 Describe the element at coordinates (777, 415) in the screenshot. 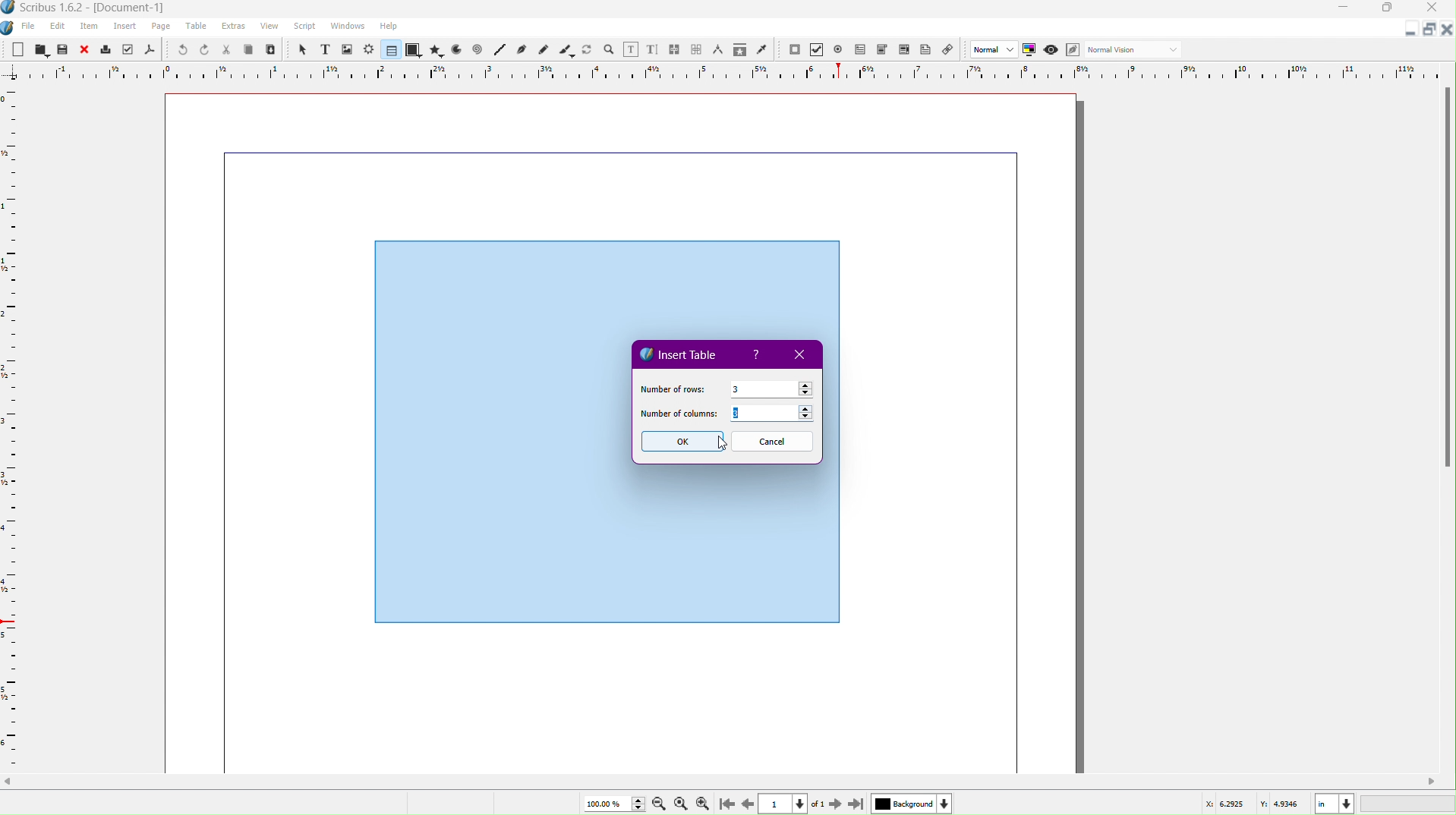

I see `Columns` at that location.